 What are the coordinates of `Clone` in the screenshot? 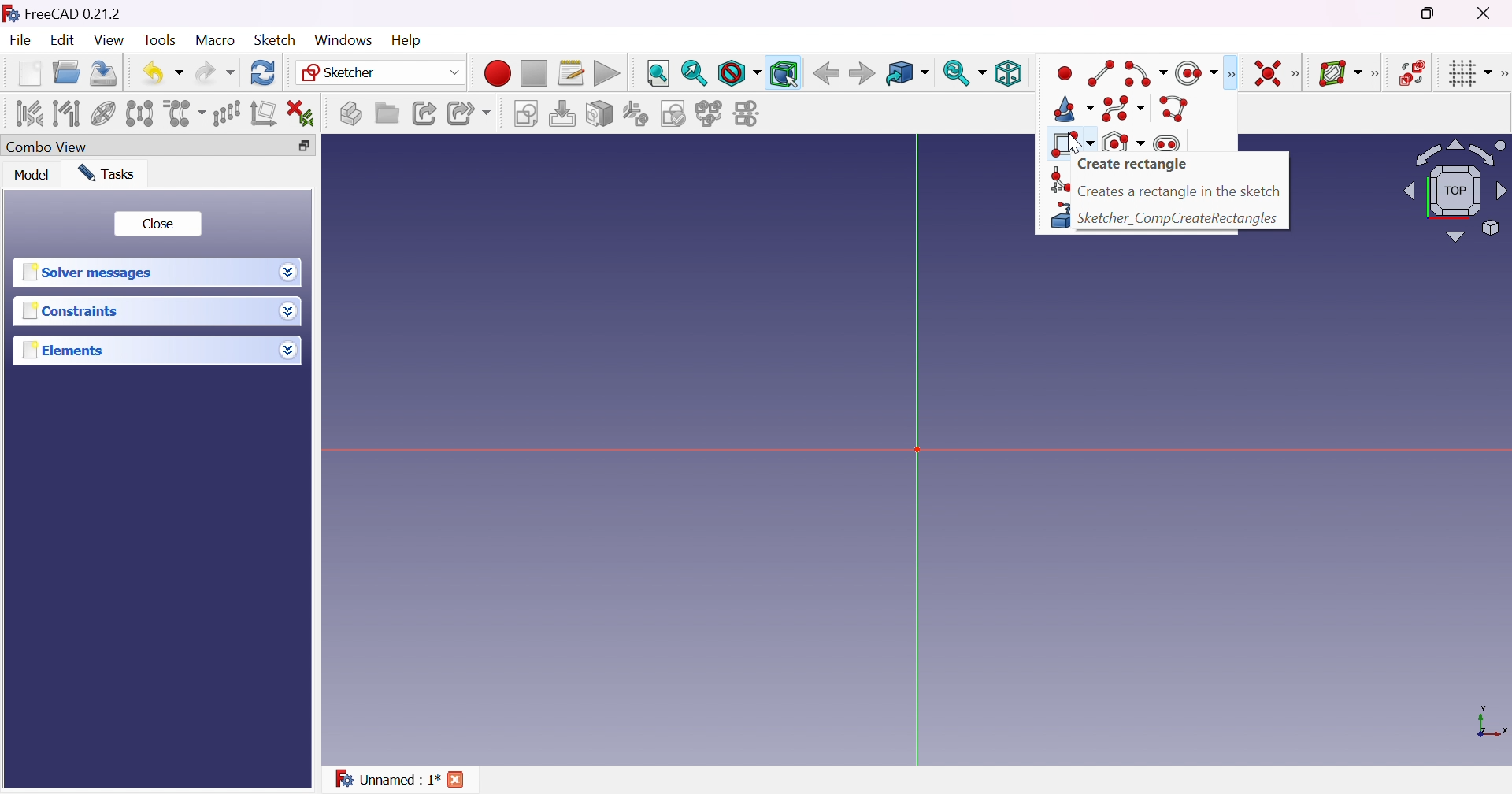 It's located at (183, 113).